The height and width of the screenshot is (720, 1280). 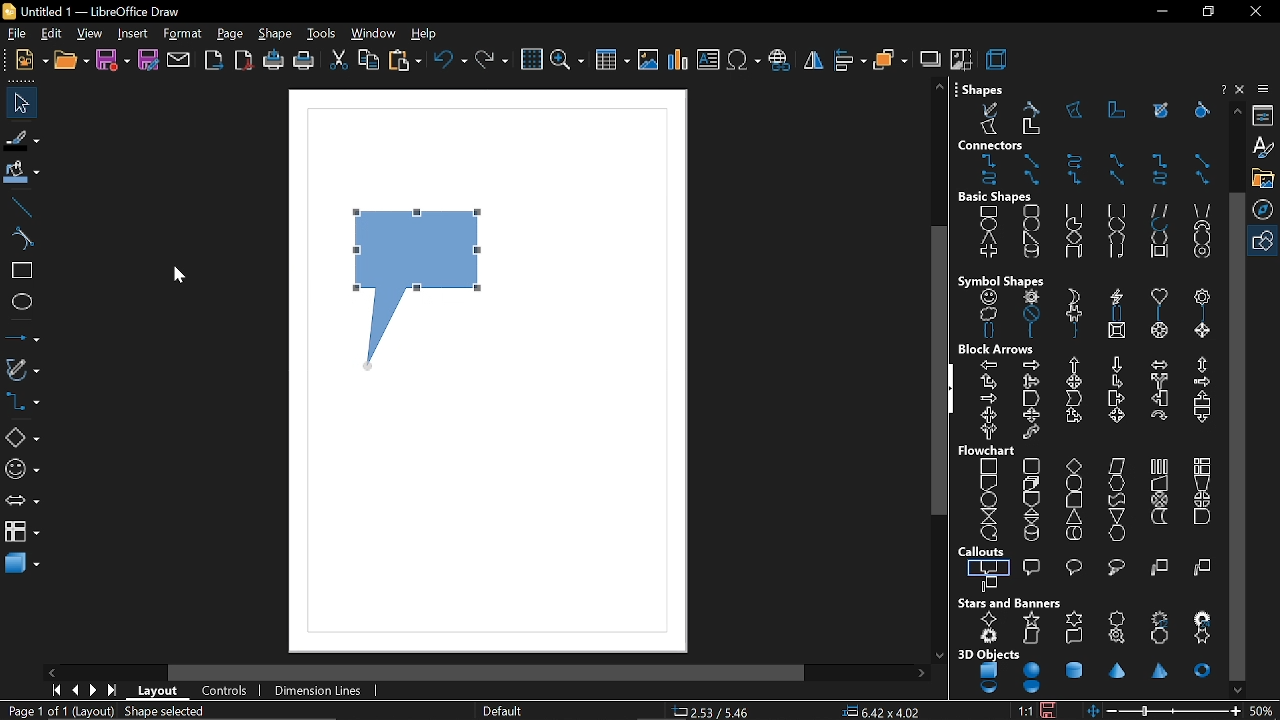 What do you see at coordinates (110, 693) in the screenshot?
I see `go to last page` at bounding box center [110, 693].